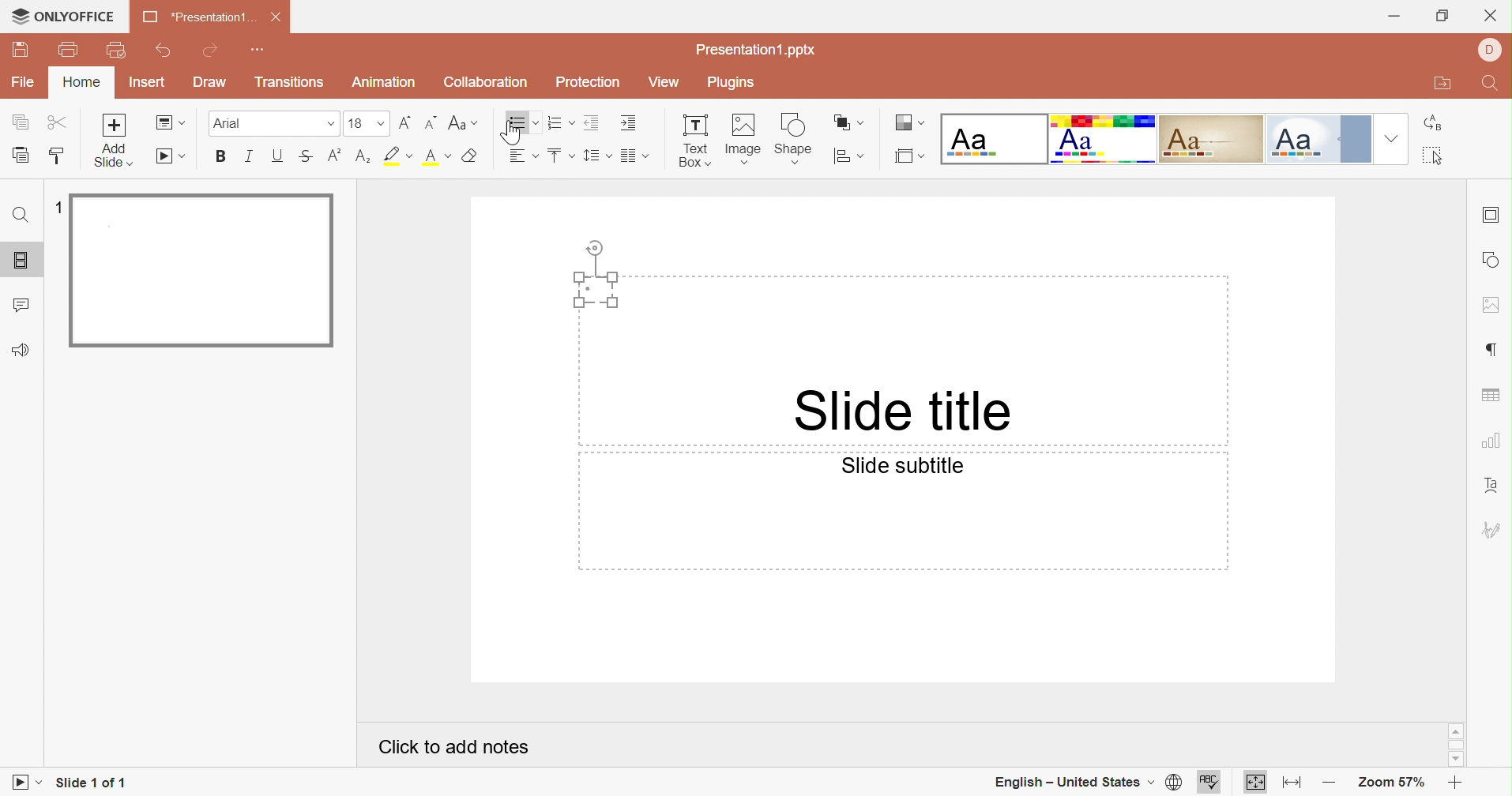 The image size is (1512, 796). Describe the element at coordinates (590, 123) in the screenshot. I see `Decrease indent` at that location.